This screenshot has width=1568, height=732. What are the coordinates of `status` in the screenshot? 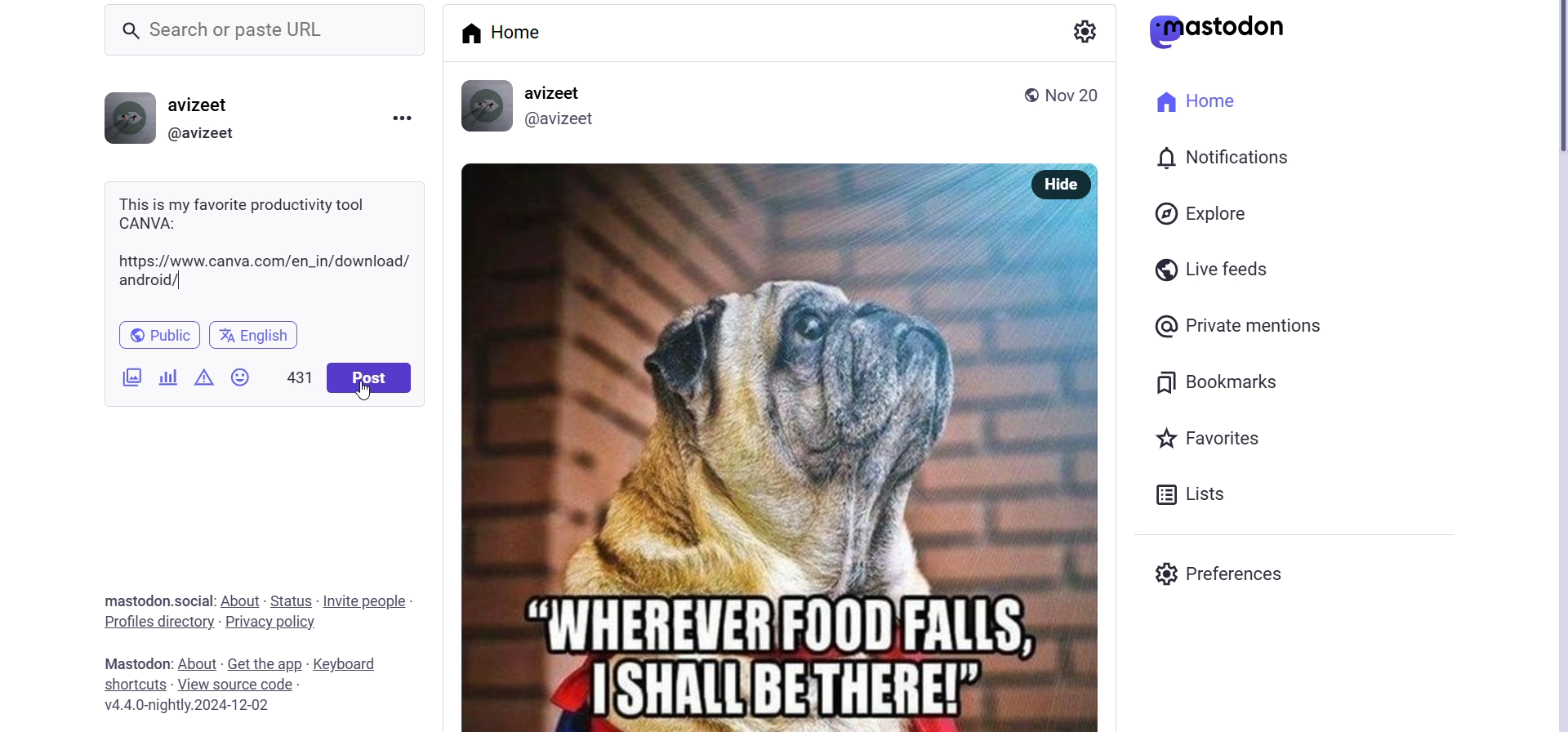 It's located at (292, 597).